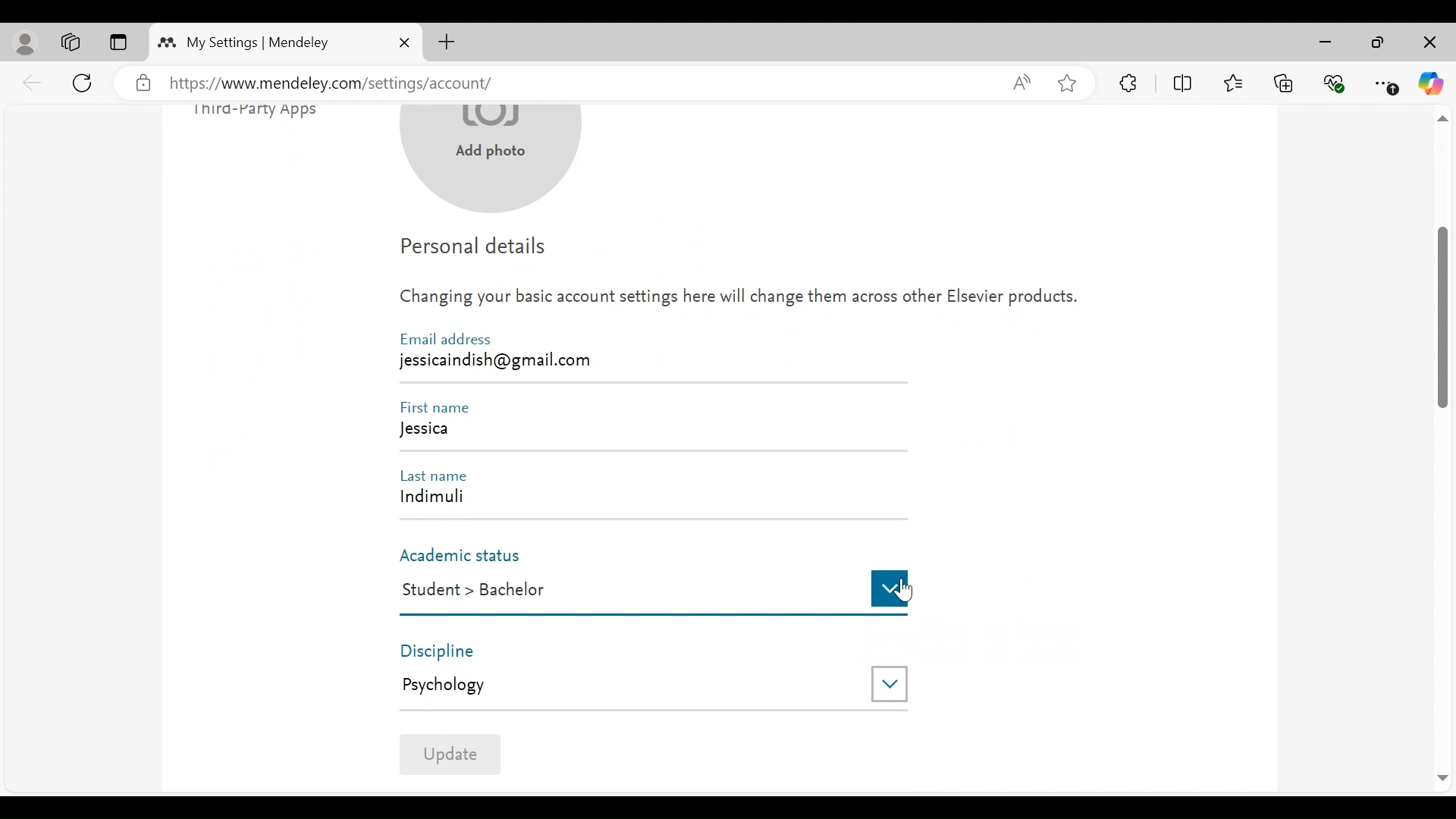 The width and height of the screenshot is (1456, 819). Describe the element at coordinates (500, 359) in the screenshot. I see `jessicaindish@gmail.com` at that location.